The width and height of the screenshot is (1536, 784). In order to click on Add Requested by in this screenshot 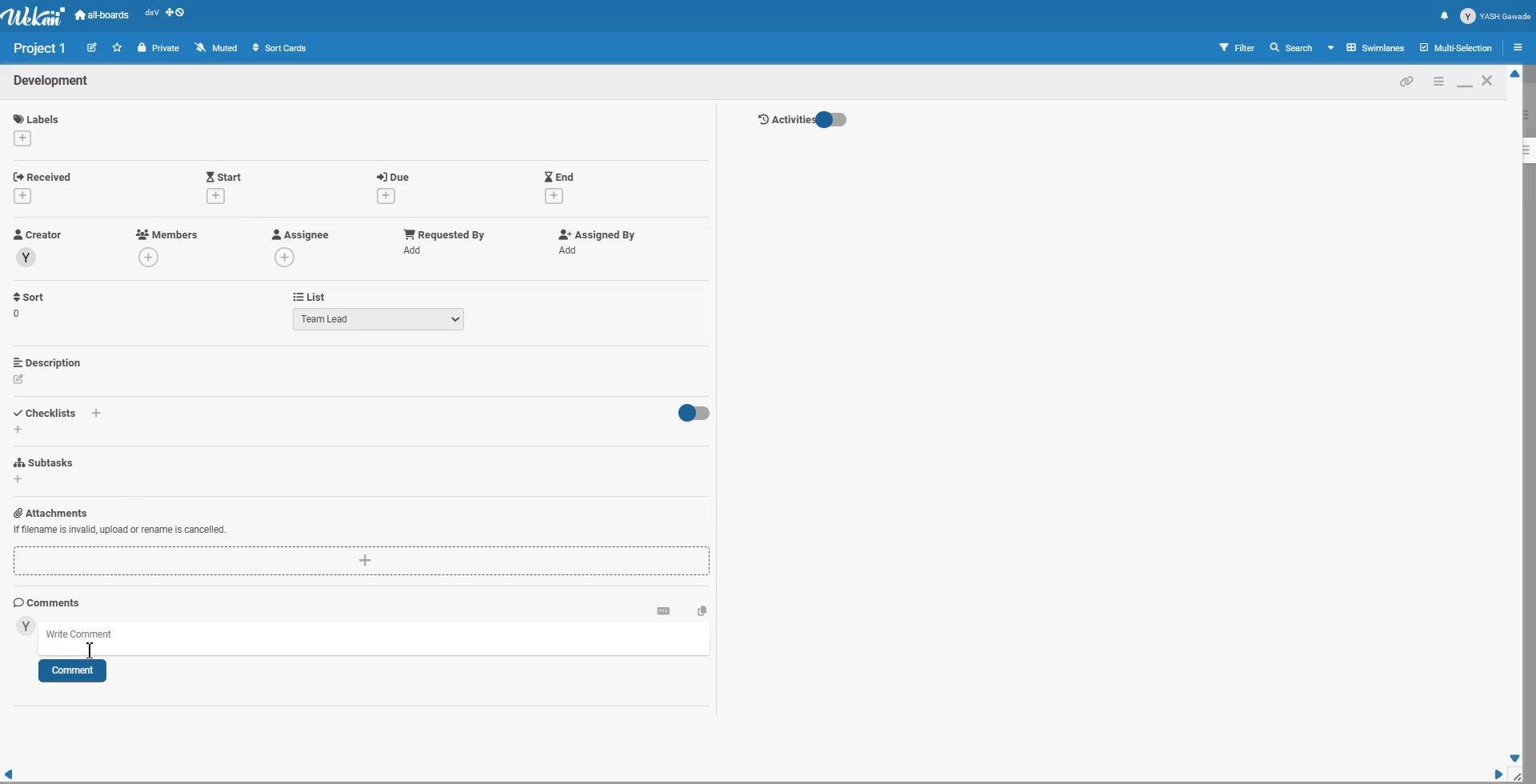, I will do `click(445, 233)`.